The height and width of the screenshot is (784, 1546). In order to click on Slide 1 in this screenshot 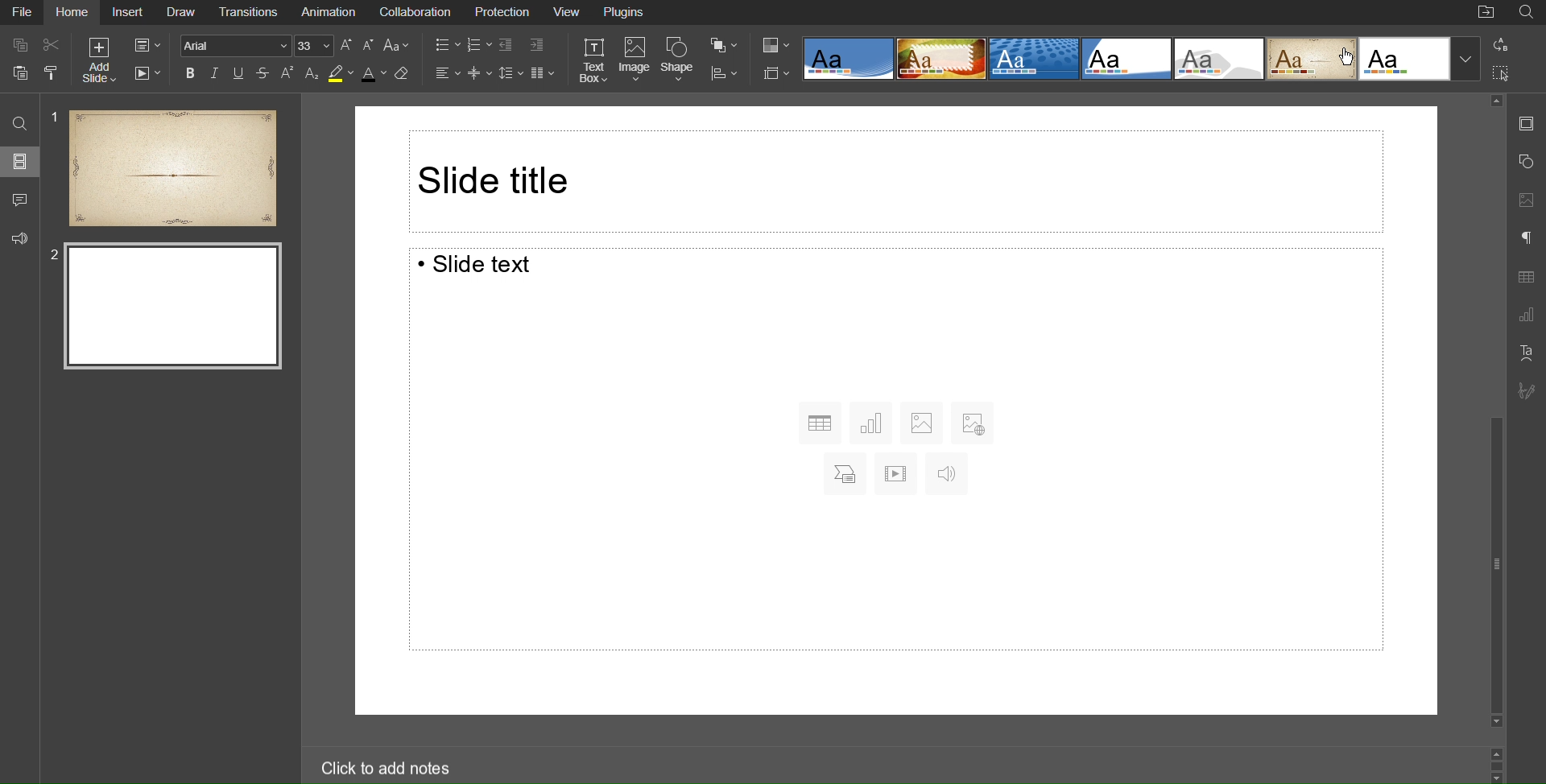, I will do `click(165, 167)`.